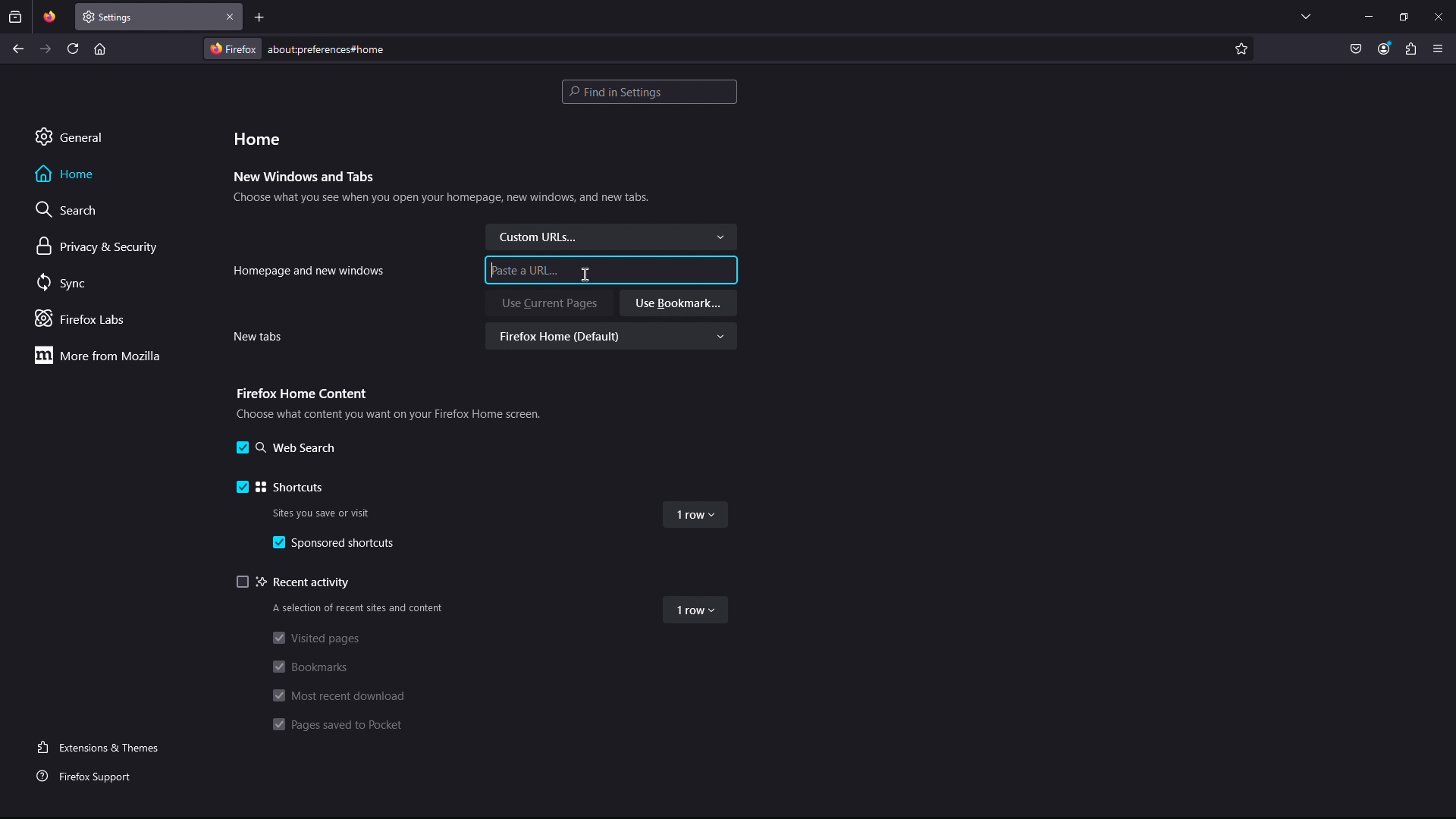 Image resolution: width=1456 pixels, height=819 pixels. What do you see at coordinates (678, 303) in the screenshot?
I see `Use Bookmark` at bounding box center [678, 303].